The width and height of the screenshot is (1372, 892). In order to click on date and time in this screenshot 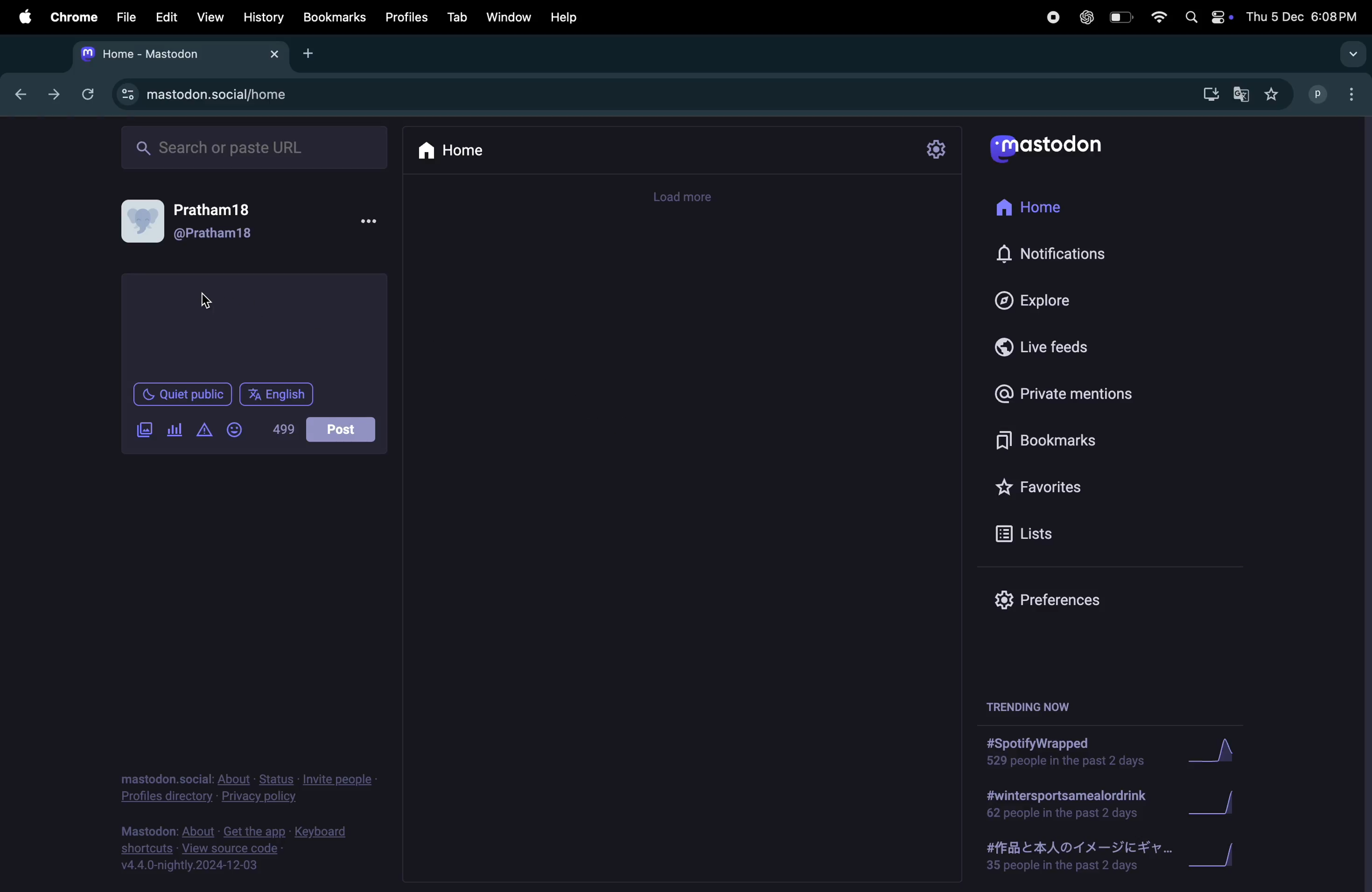, I will do `click(1305, 16)`.